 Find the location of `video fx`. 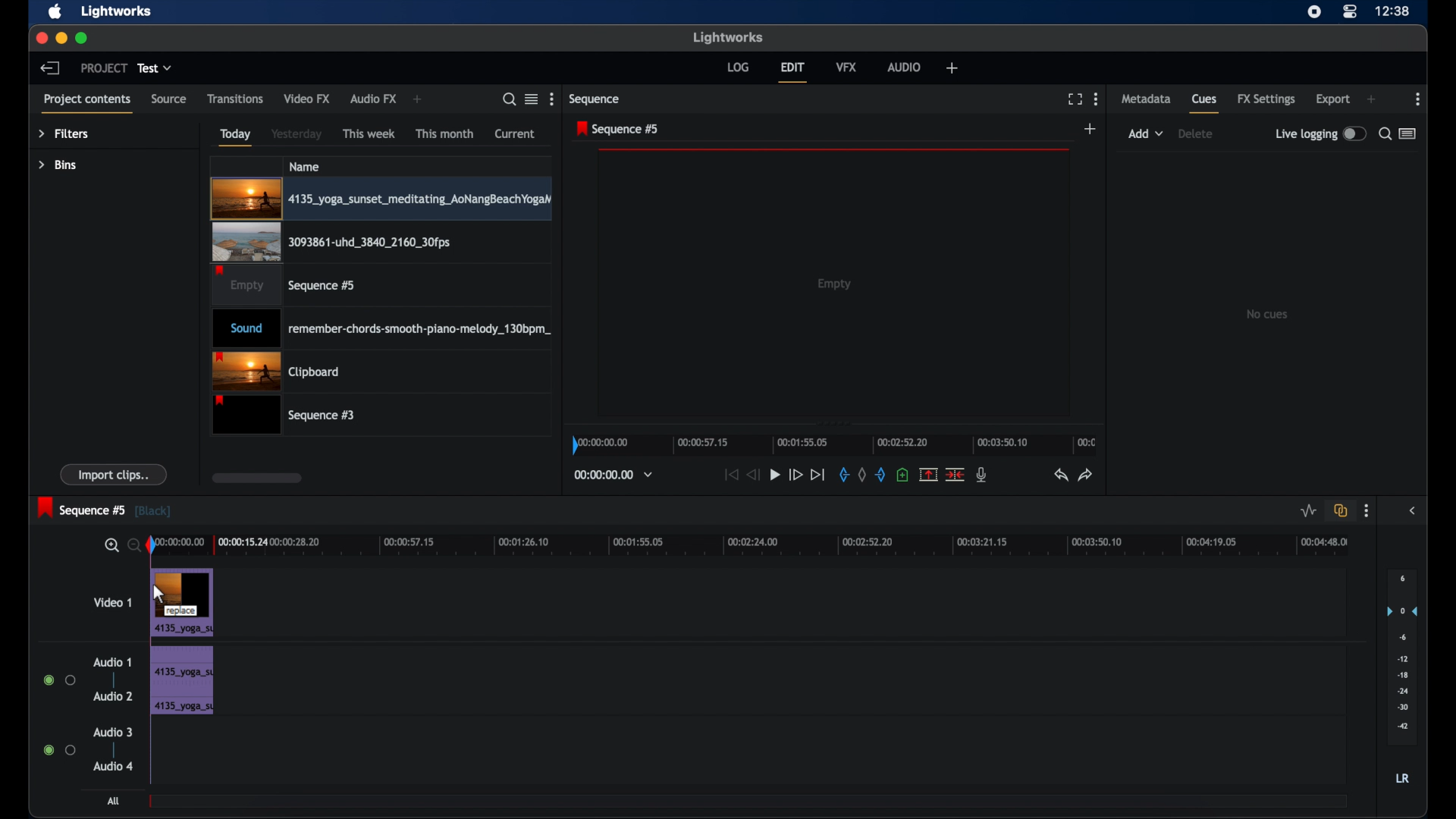

video fx is located at coordinates (308, 99).